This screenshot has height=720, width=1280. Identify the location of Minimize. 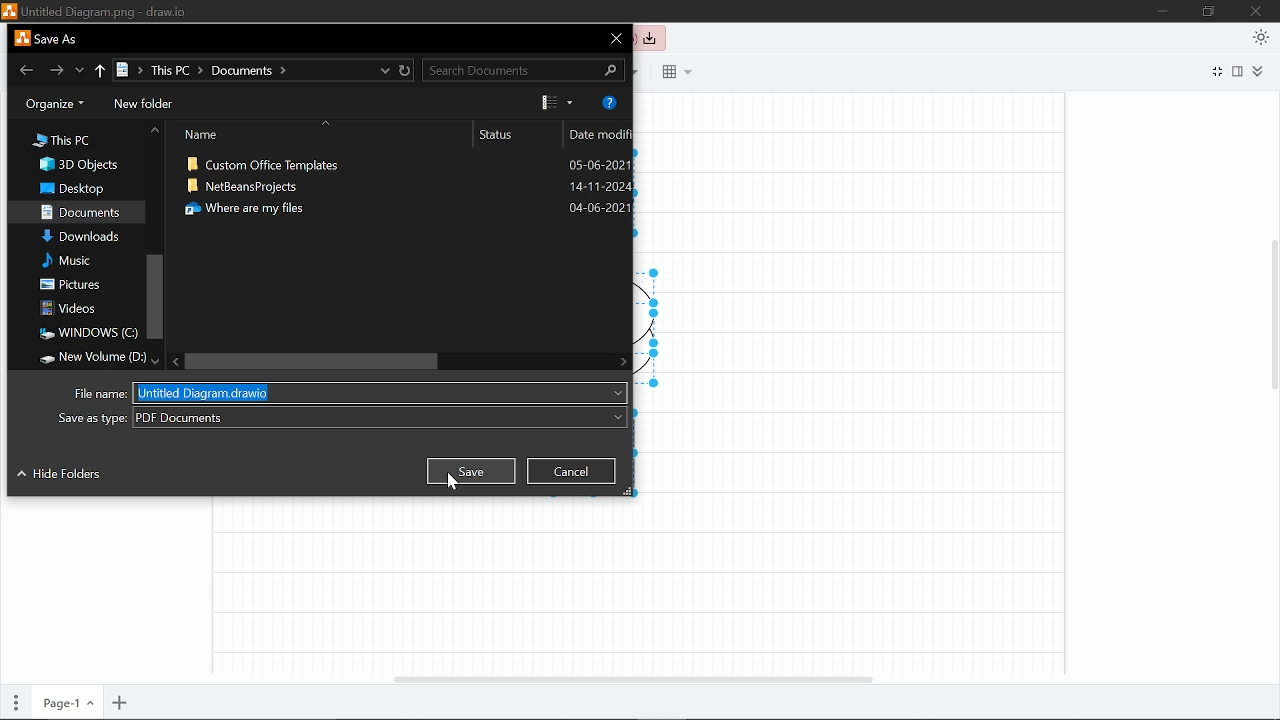
(1162, 12).